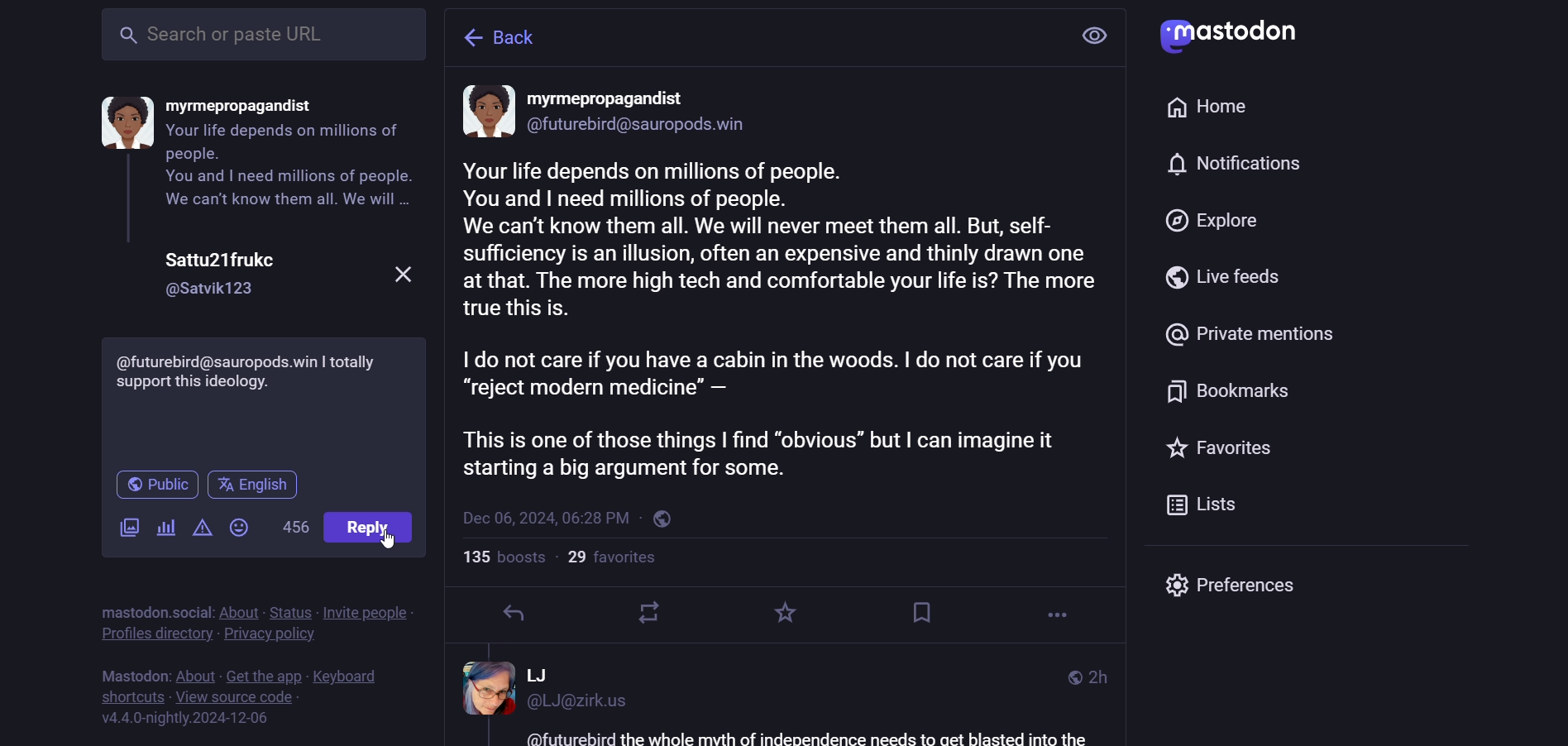 Image resolution: width=1568 pixels, height=746 pixels. Describe the element at coordinates (256, 484) in the screenshot. I see `english` at that location.